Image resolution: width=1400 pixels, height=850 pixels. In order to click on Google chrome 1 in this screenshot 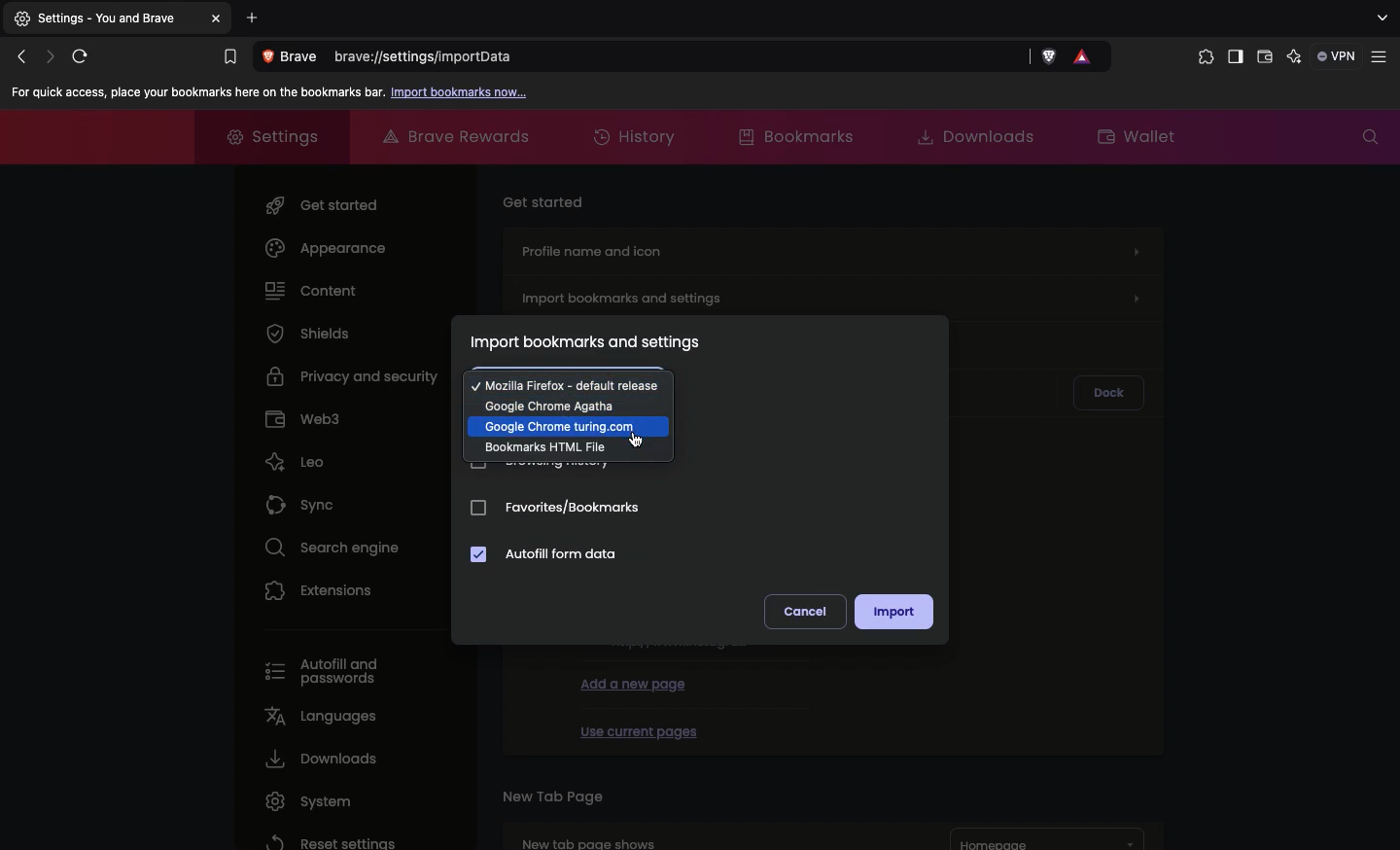, I will do `click(568, 404)`.